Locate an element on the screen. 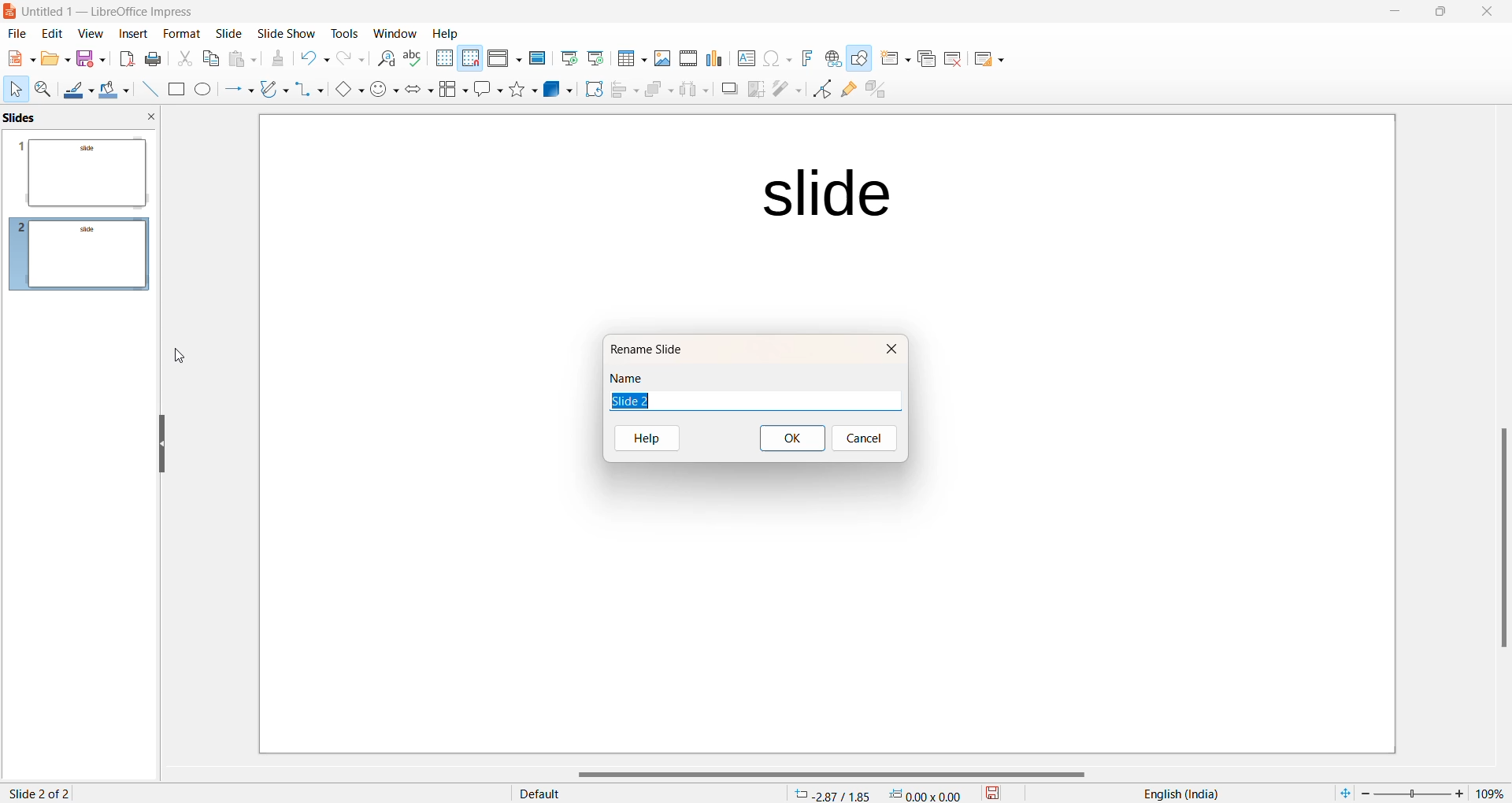  Insert text is located at coordinates (740, 57).